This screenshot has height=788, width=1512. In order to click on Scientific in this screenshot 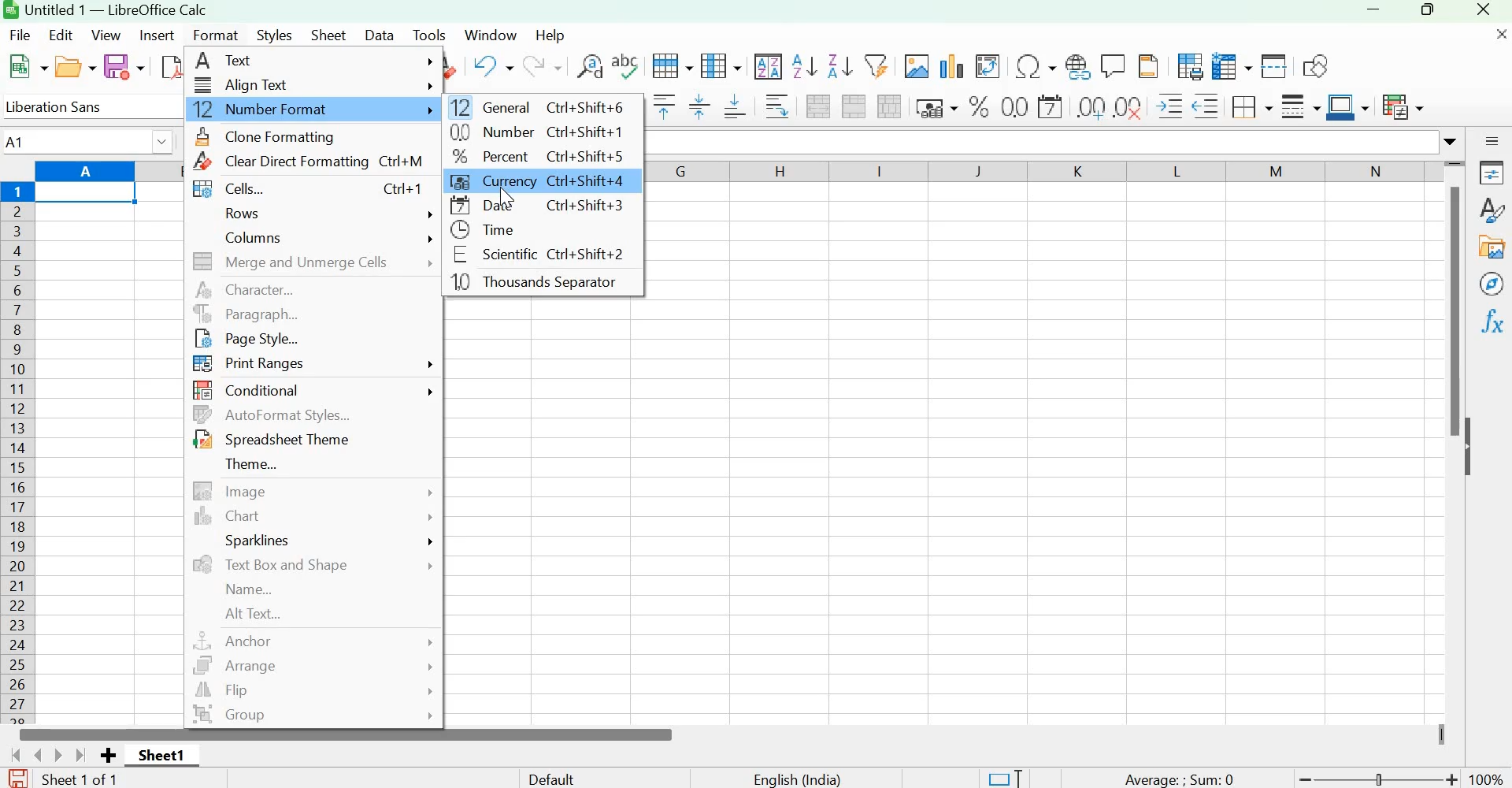, I will do `click(534, 256)`.